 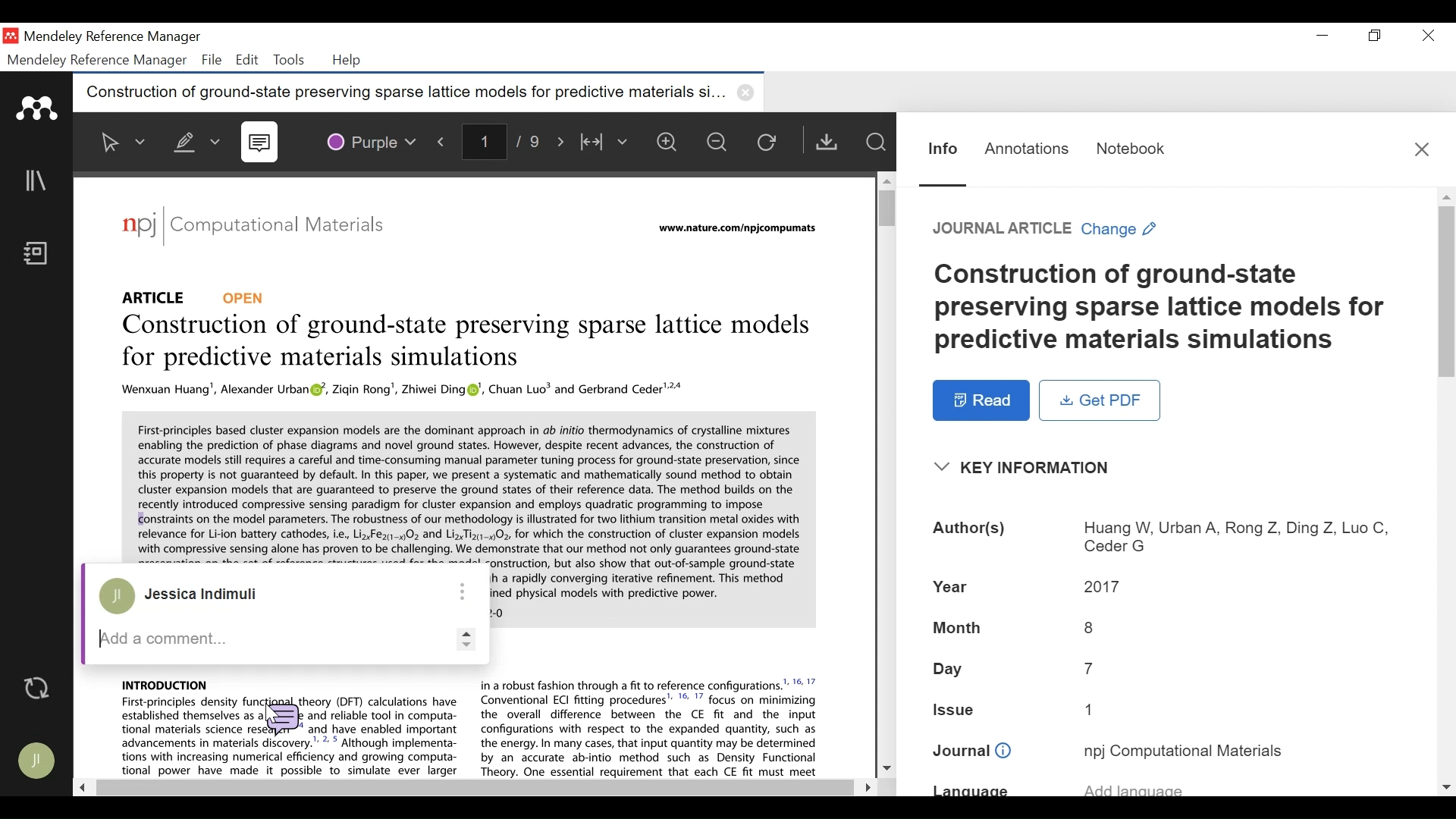 What do you see at coordinates (463, 638) in the screenshot?
I see `Navigate up or down` at bounding box center [463, 638].